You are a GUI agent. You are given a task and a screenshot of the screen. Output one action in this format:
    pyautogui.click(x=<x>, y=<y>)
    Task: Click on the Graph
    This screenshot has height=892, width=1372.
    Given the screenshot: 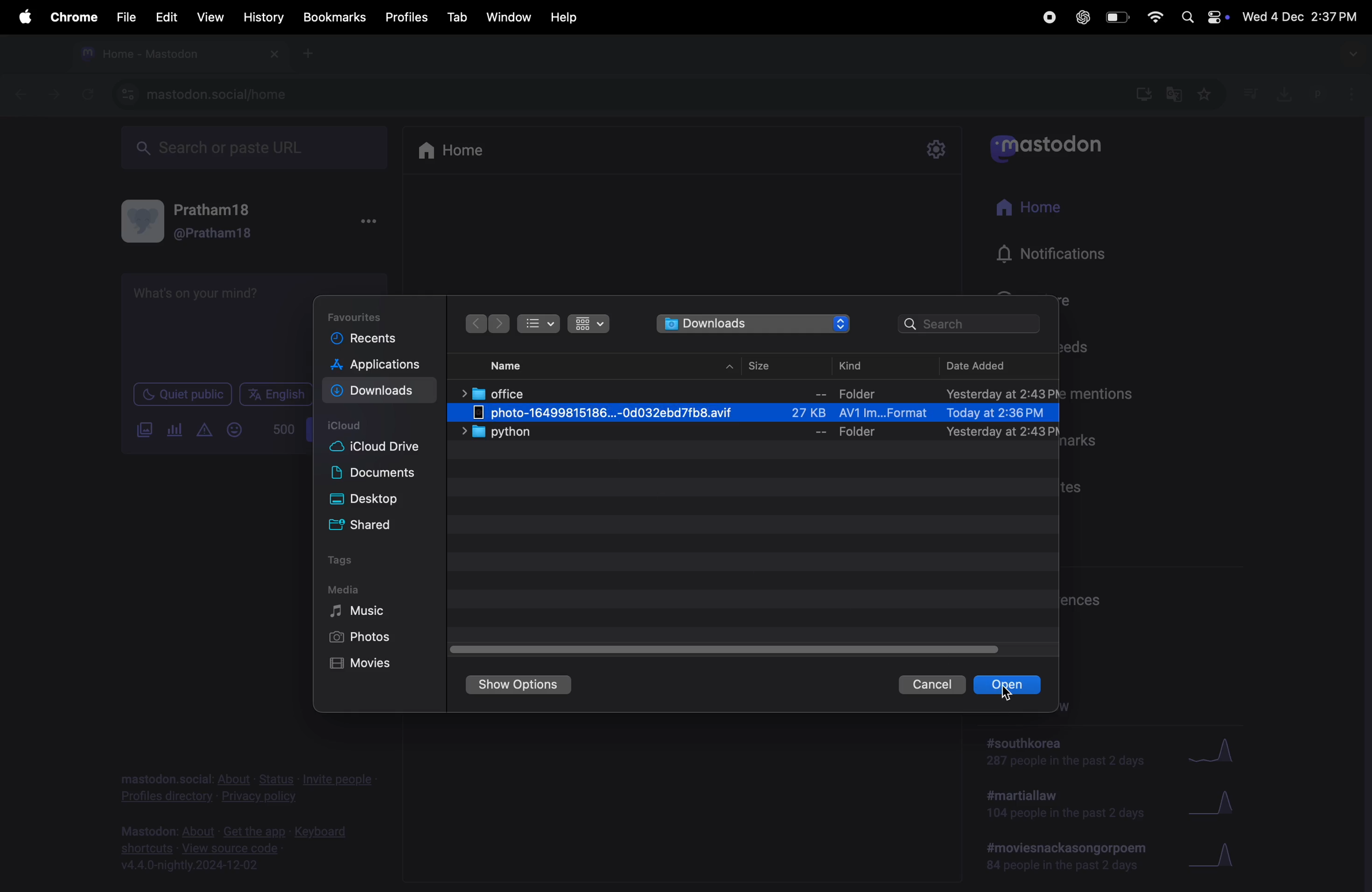 What is the action you would take?
    pyautogui.click(x=1217, y=856)
    